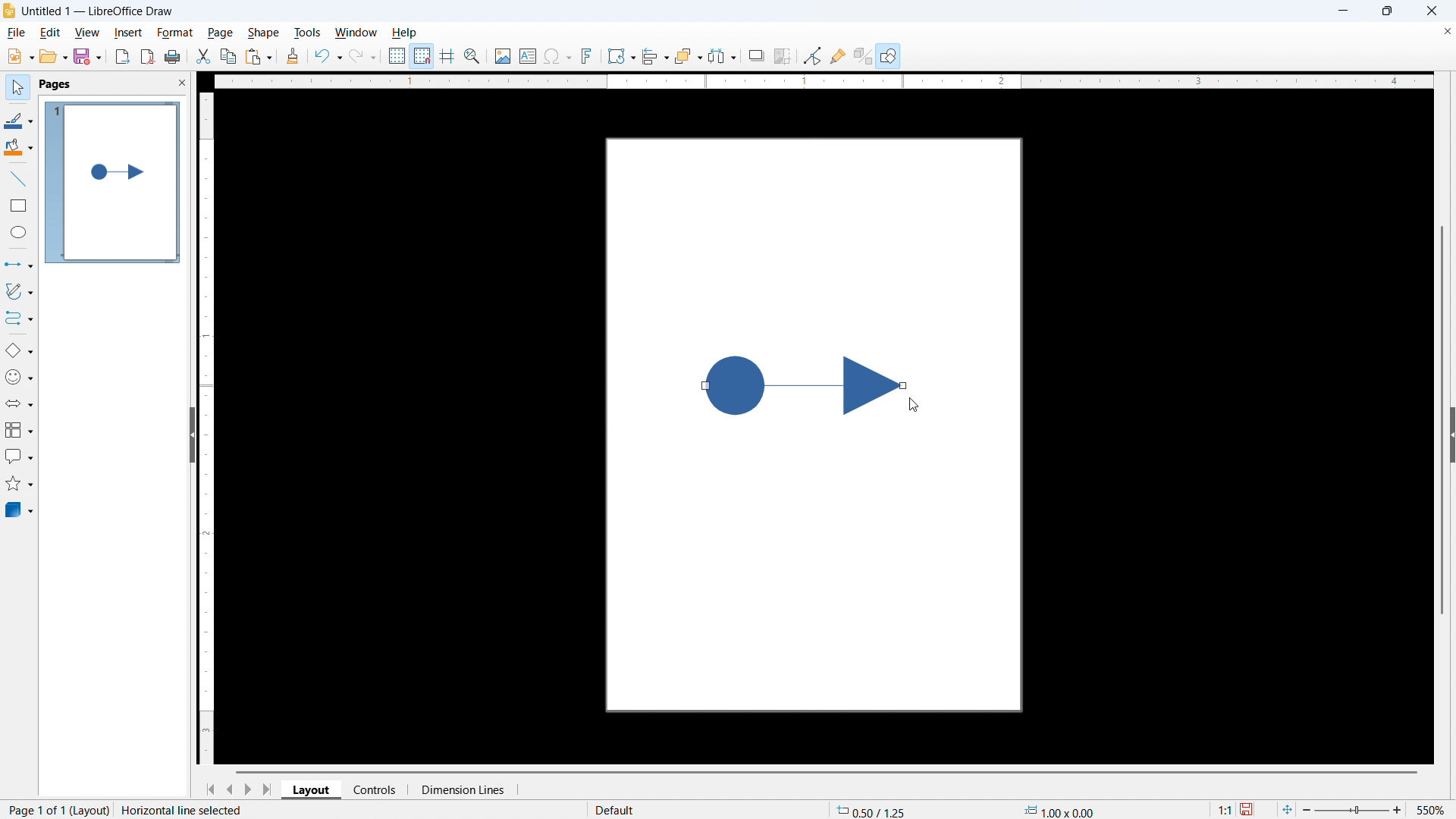  Describe the element at coordinates (1442, 420) in the screenshot. I see `Vertical scroll bar ` at that location.